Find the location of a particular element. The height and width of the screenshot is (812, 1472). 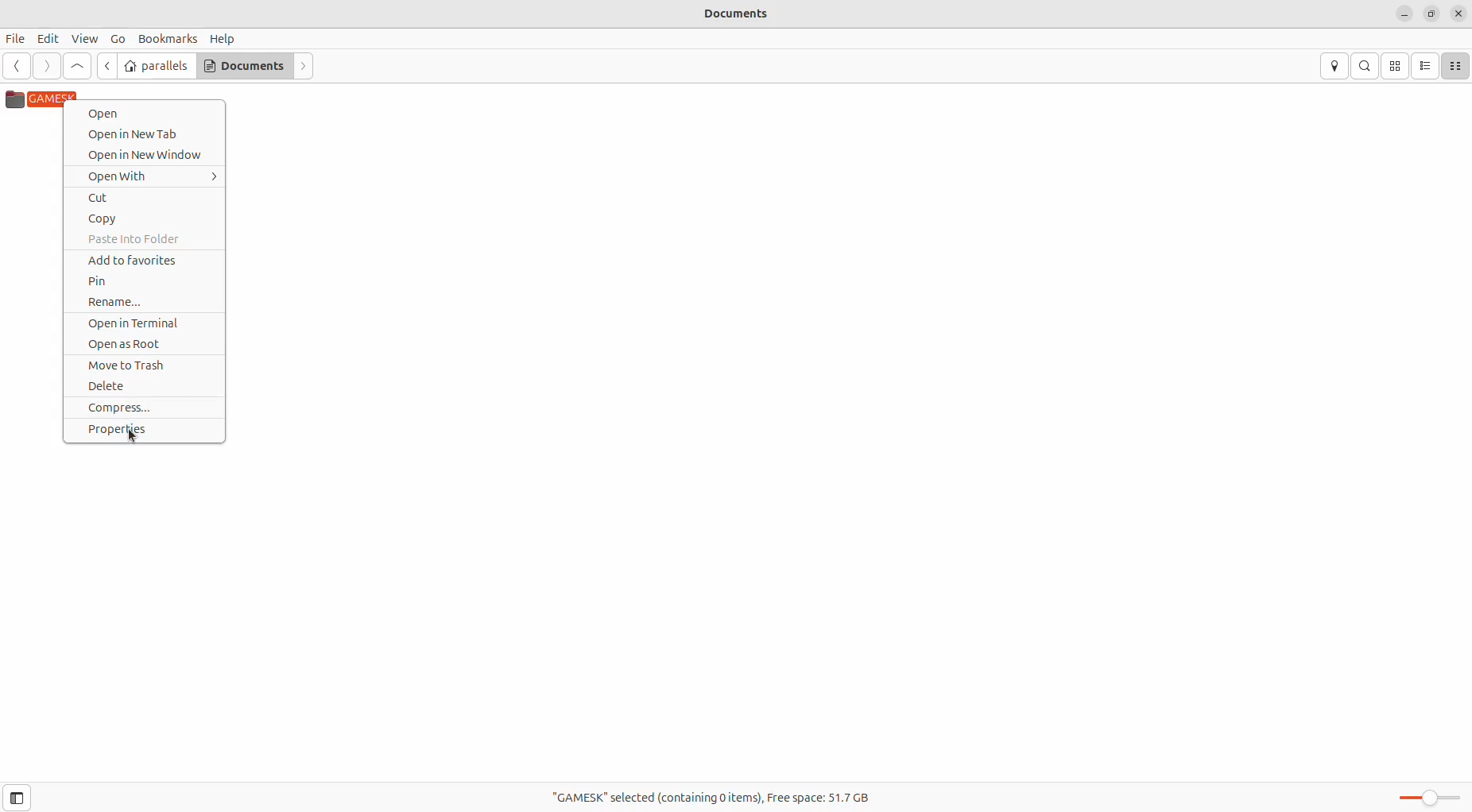

View is located at coordinates (83, 40).